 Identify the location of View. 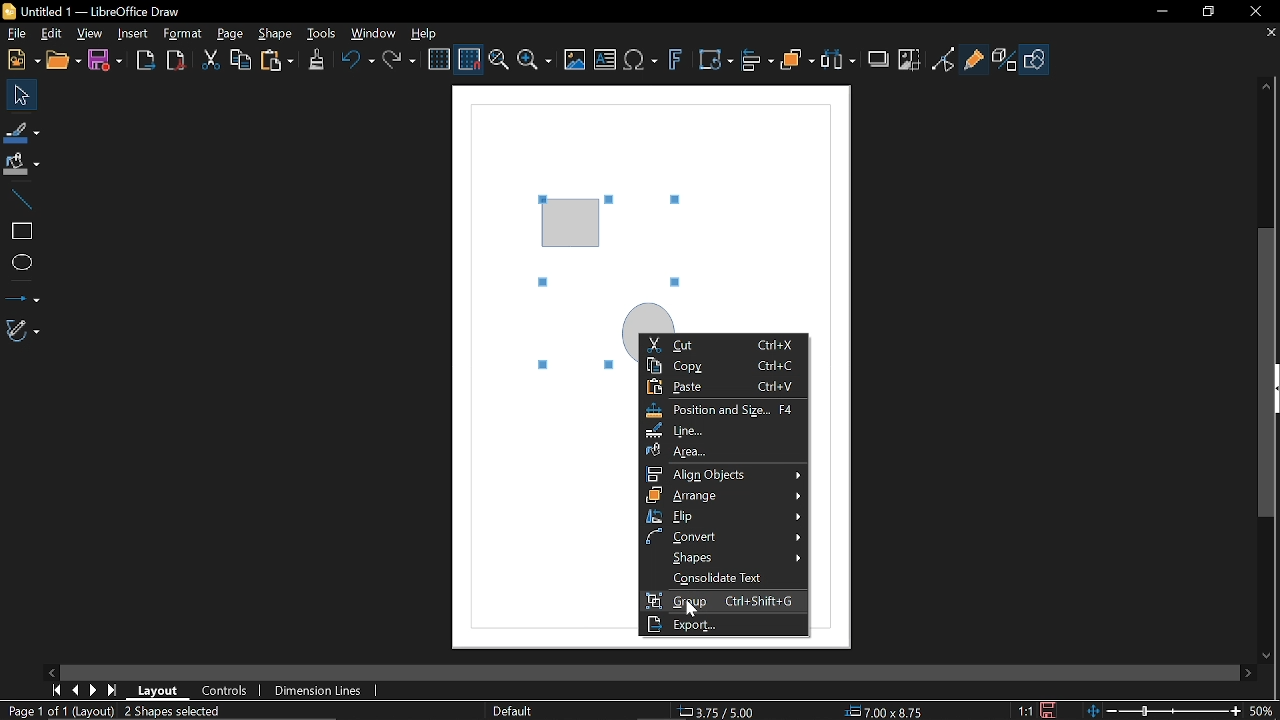
(89, 34).